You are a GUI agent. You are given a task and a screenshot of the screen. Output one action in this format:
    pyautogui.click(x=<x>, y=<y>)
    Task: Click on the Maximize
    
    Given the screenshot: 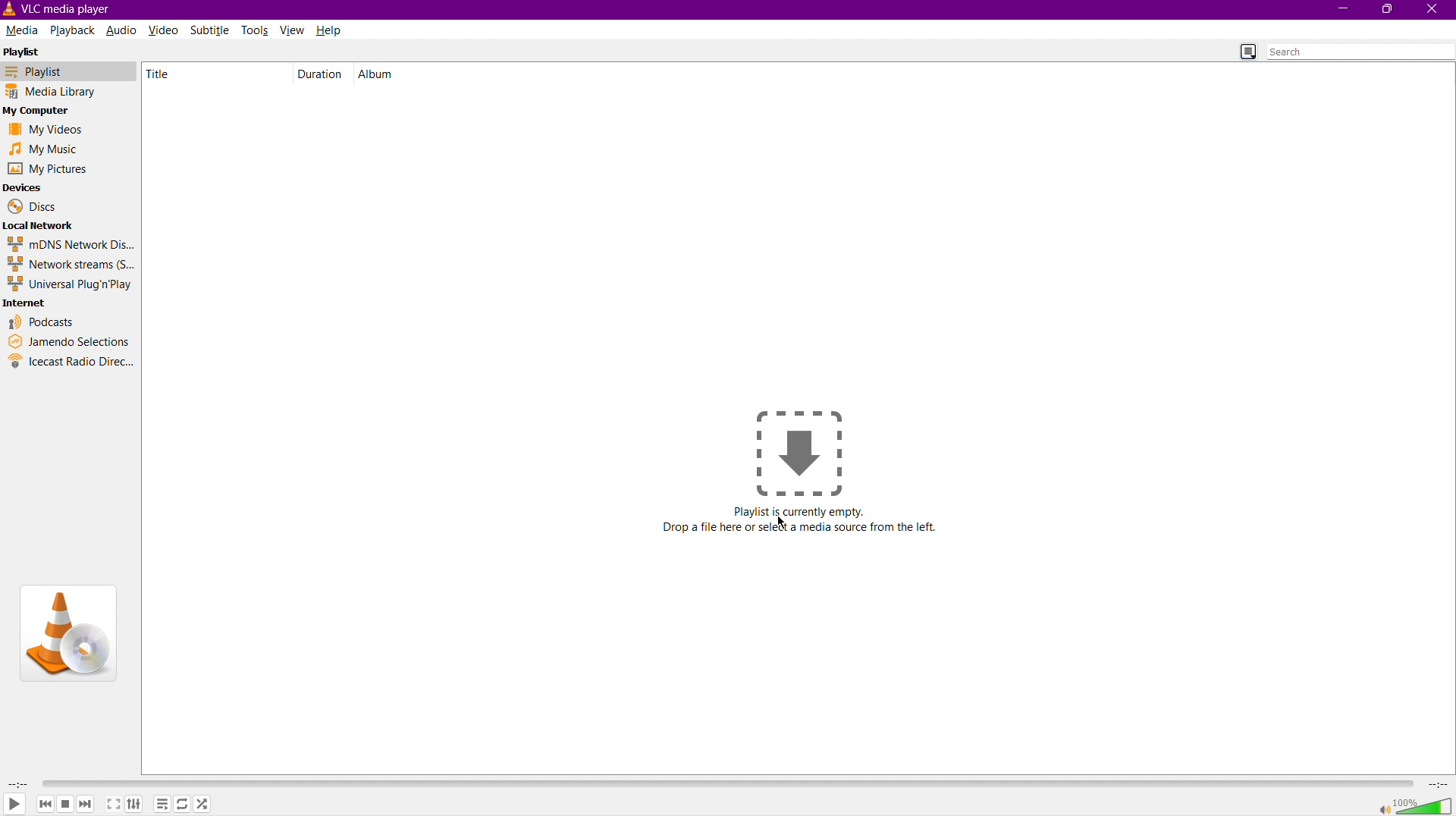 What is the action you would take?
    pyautogui.click(x=114, y=803)
    